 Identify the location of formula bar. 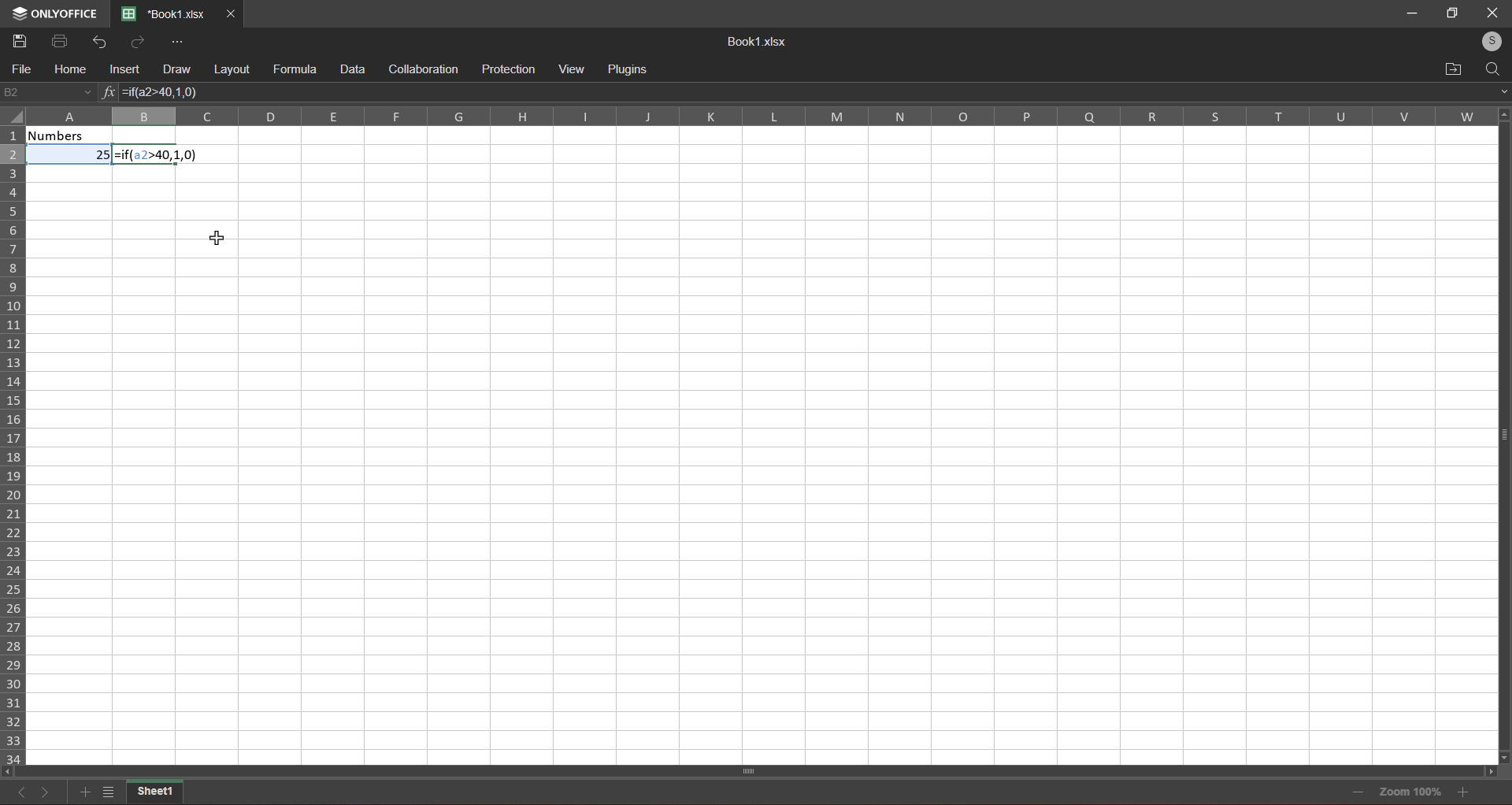
(909, 91).